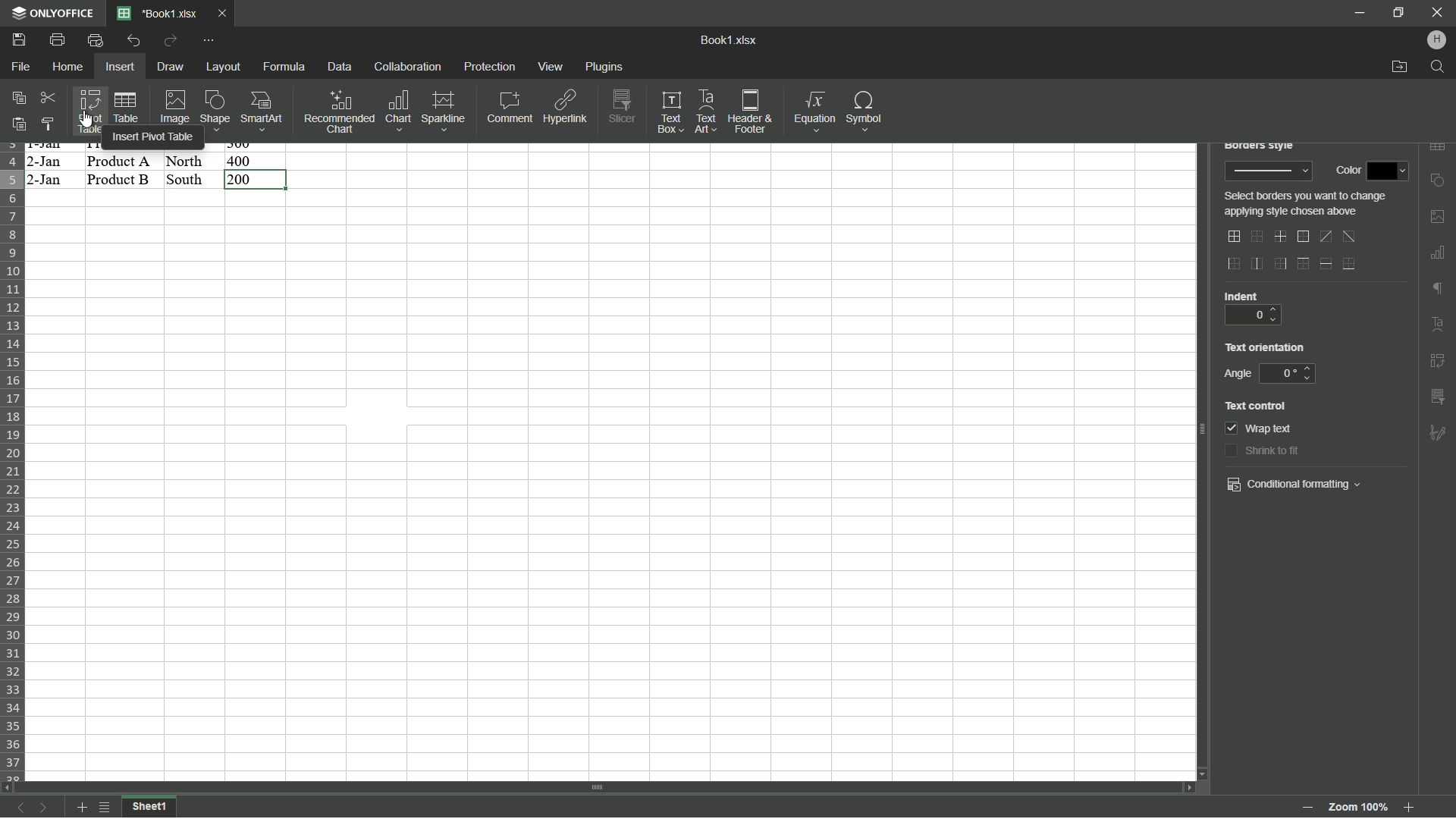 The width and height of the screenshot is (1456, 819). Describe the element at coordinates (1438, 252) in the screenshot. I see `insert chart` at that location.